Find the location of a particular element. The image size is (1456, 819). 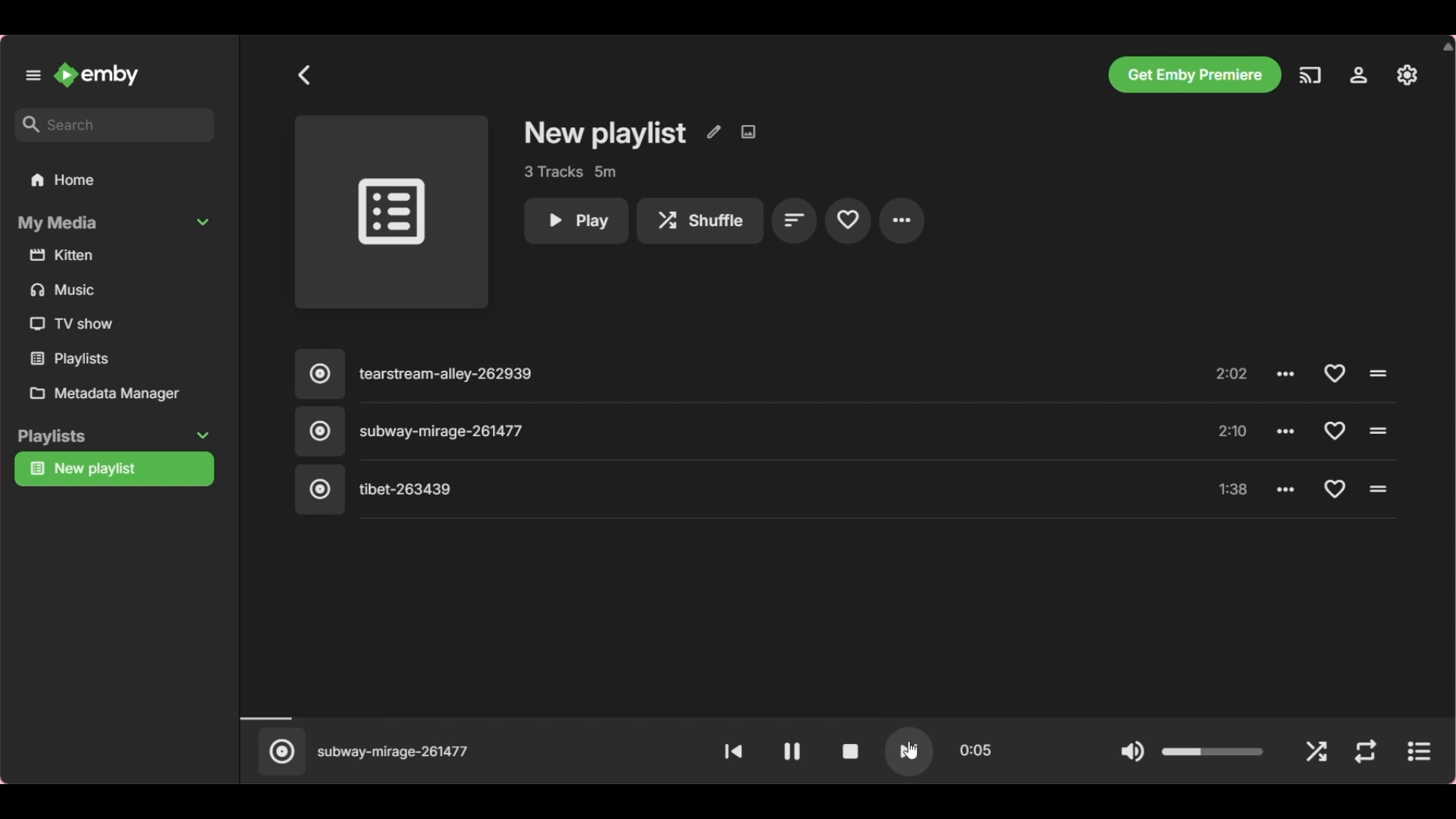

2:10 is located at coordinates (1236, 428).